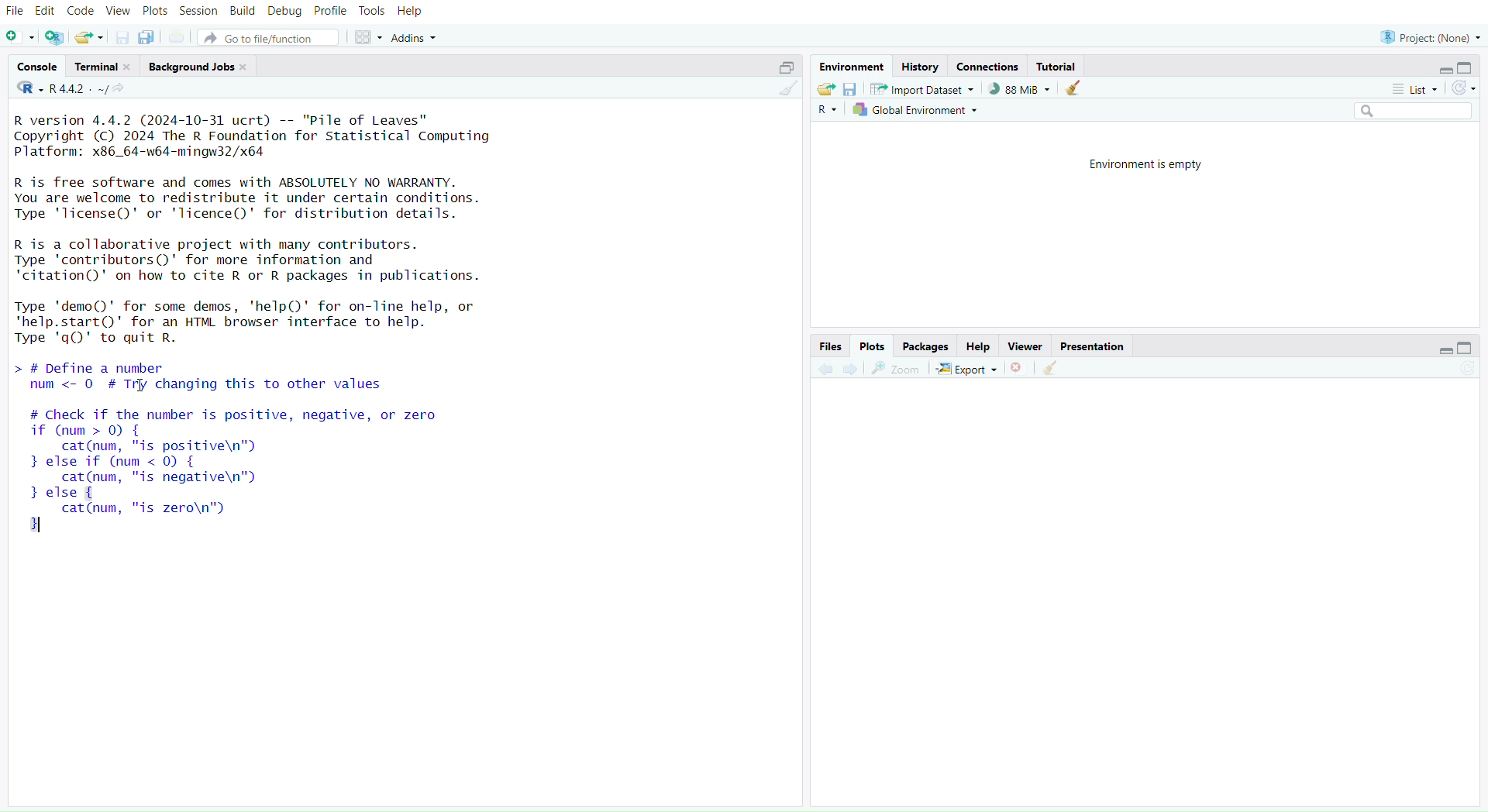 This screenshot has width=1488, height=812. I want to click on environment, so click(854, 67).